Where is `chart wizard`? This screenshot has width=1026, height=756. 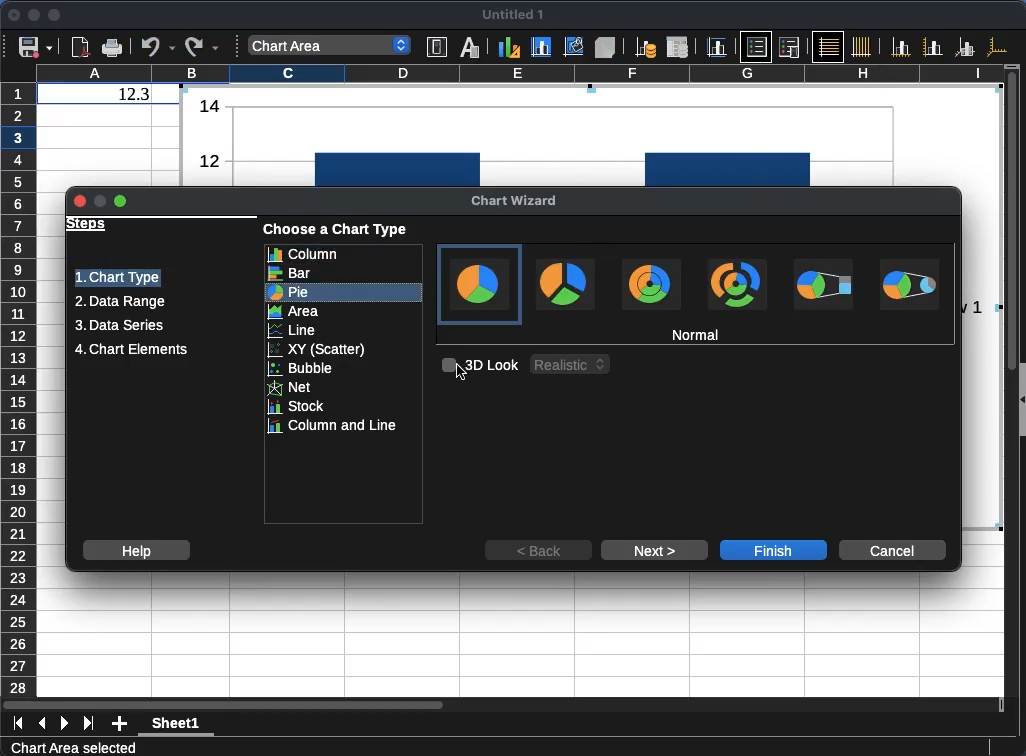 chart wizard is located at coordinates (515, 202).